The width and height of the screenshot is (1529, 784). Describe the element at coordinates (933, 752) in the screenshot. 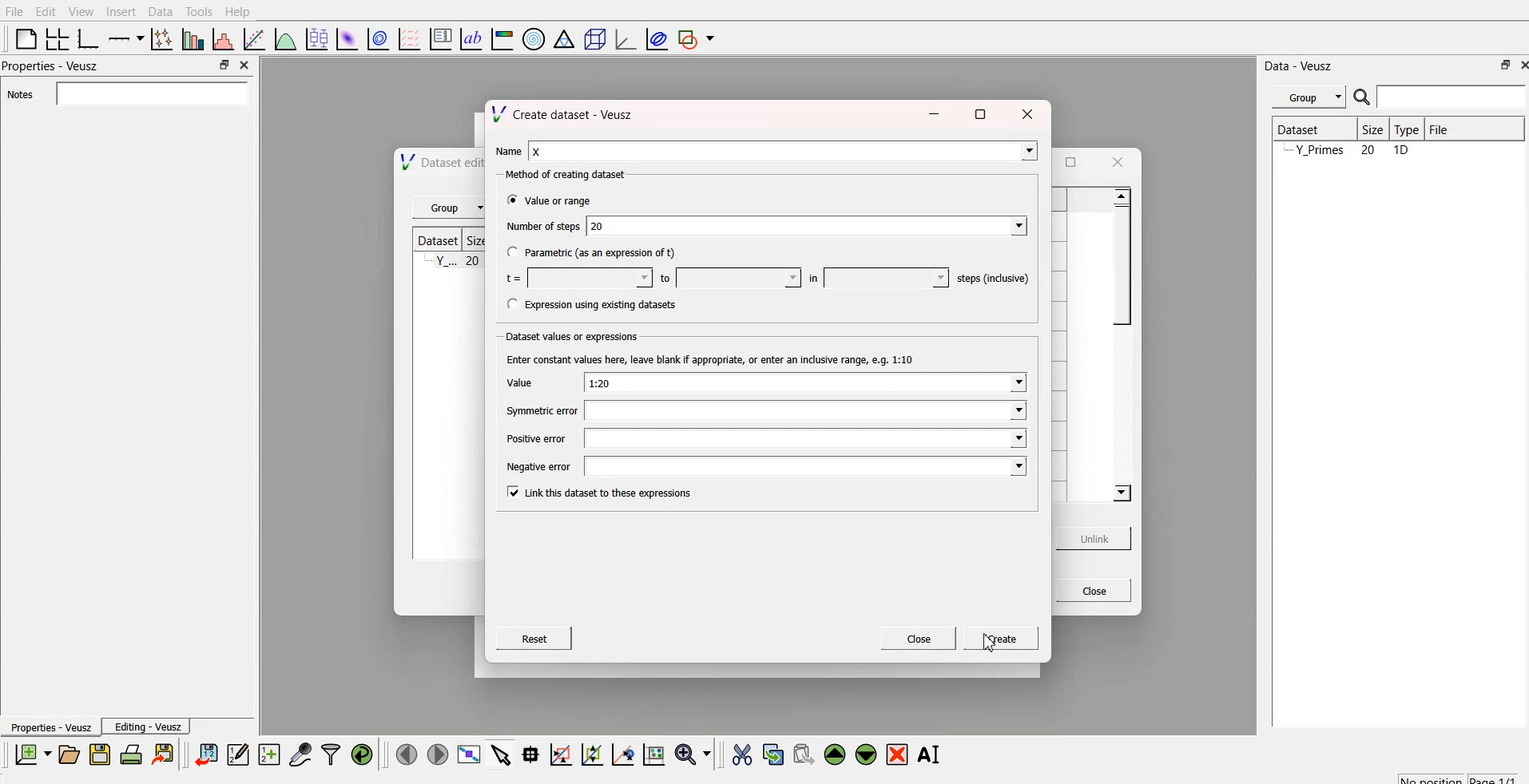

I see `rename the selected widget` at that location.